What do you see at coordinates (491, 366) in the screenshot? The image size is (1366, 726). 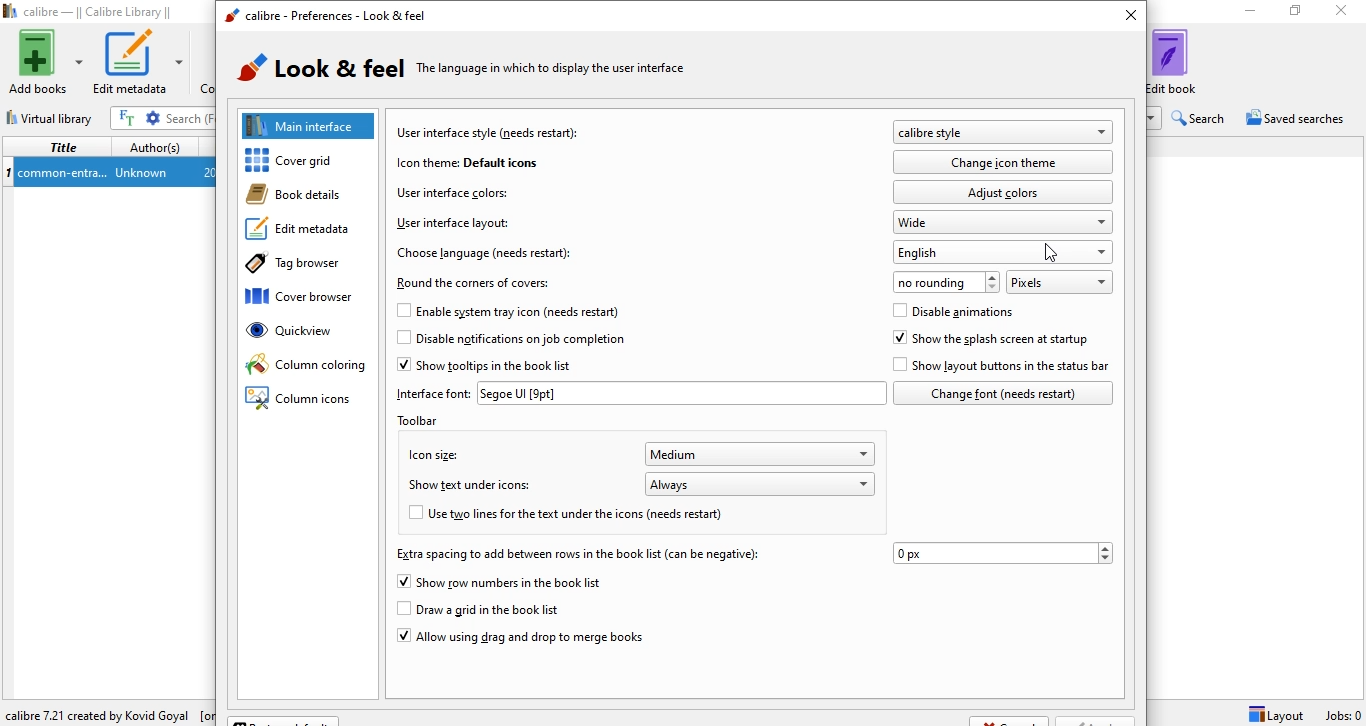 I see `show tooltips in the book list` at bounding box center [491, 366].